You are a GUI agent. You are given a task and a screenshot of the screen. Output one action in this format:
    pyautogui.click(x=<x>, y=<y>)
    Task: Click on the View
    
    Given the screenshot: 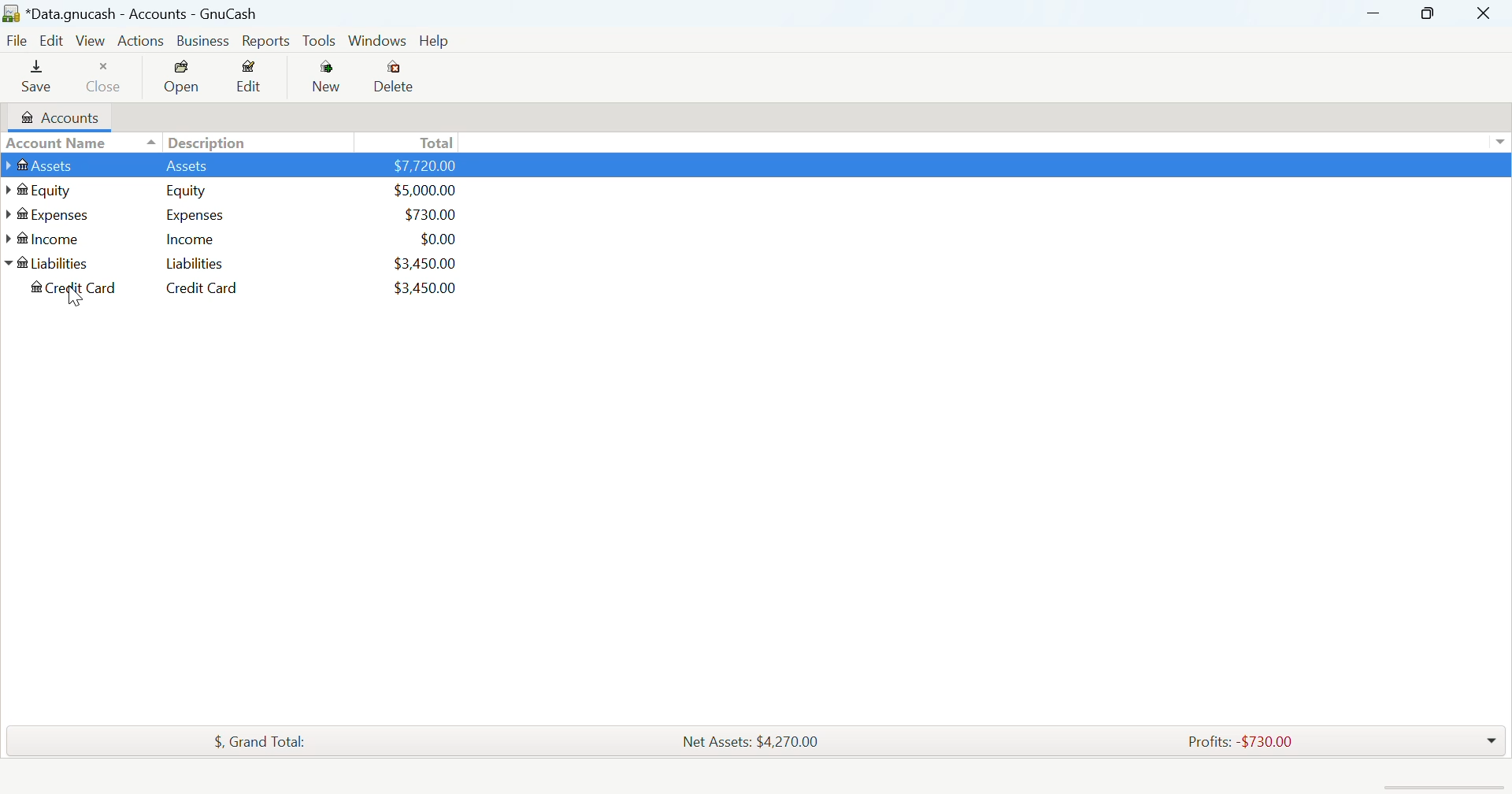 What is the action you would take?
    pyautogui.click(x=89, y=40)
    